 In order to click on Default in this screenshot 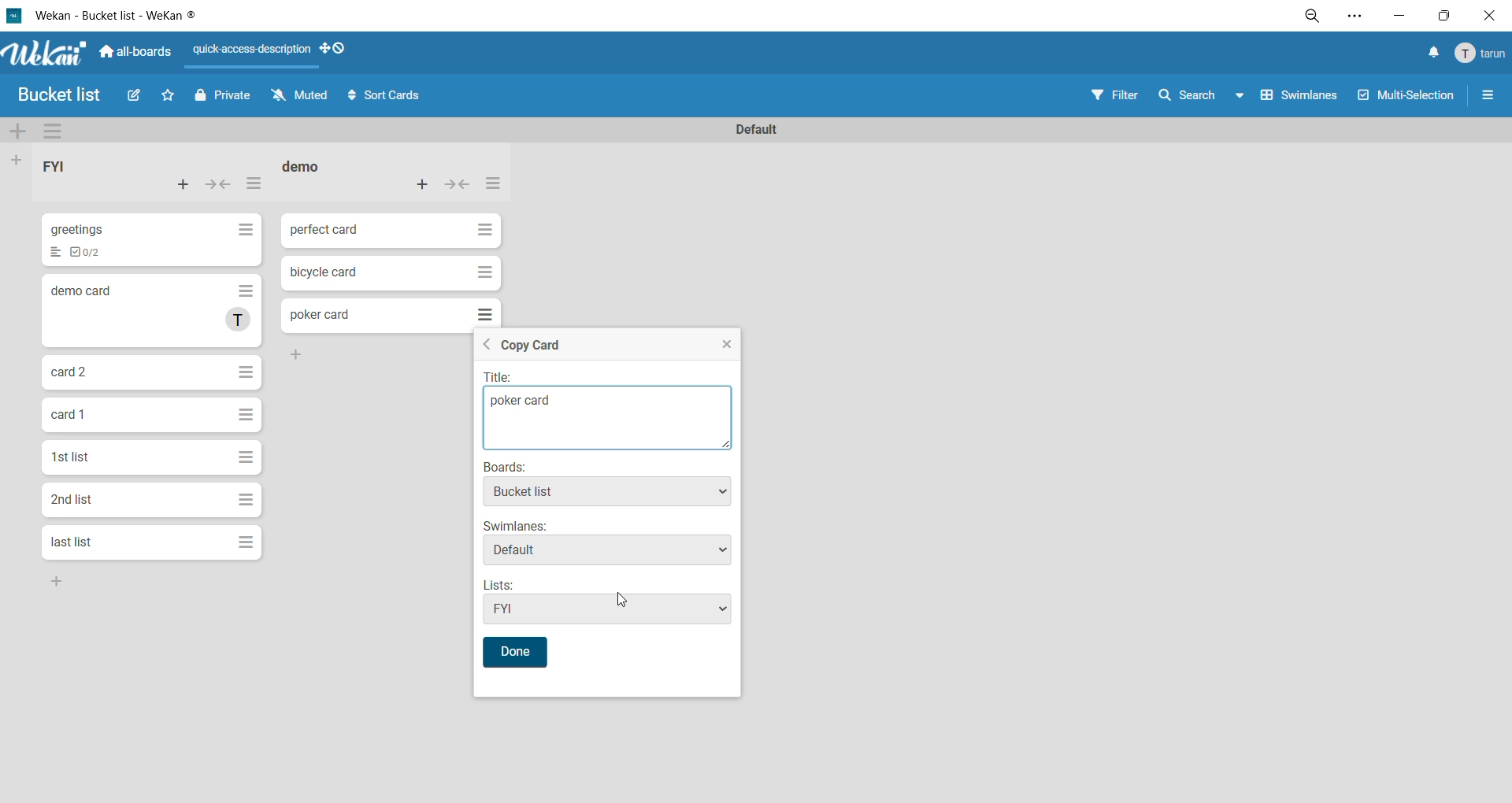, I will do `click(607, 553)`.